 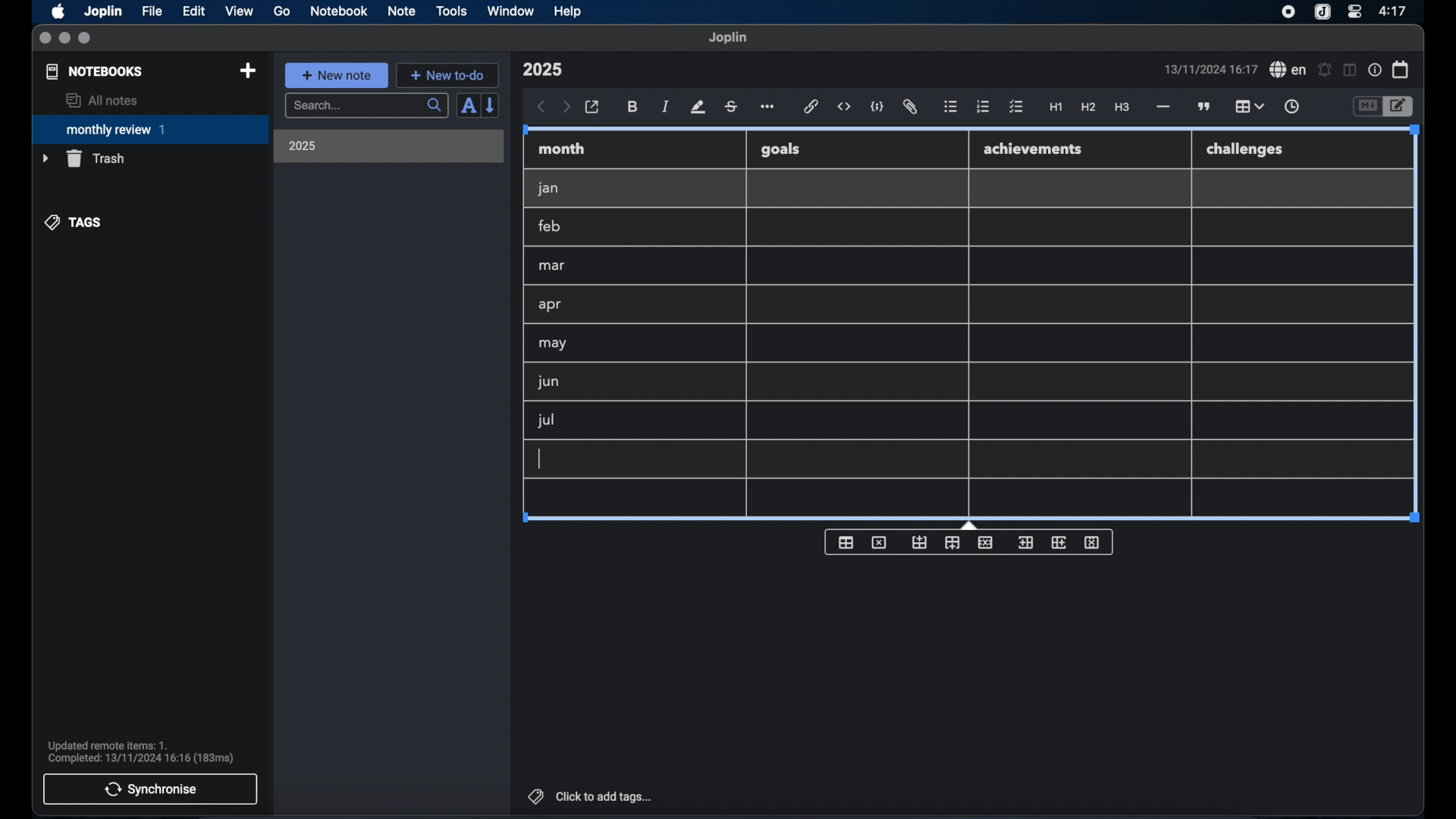 What do you see at coordinates (1291, 107) in the screenshot?
I see `insert time` at bounding box center [1291, 107].